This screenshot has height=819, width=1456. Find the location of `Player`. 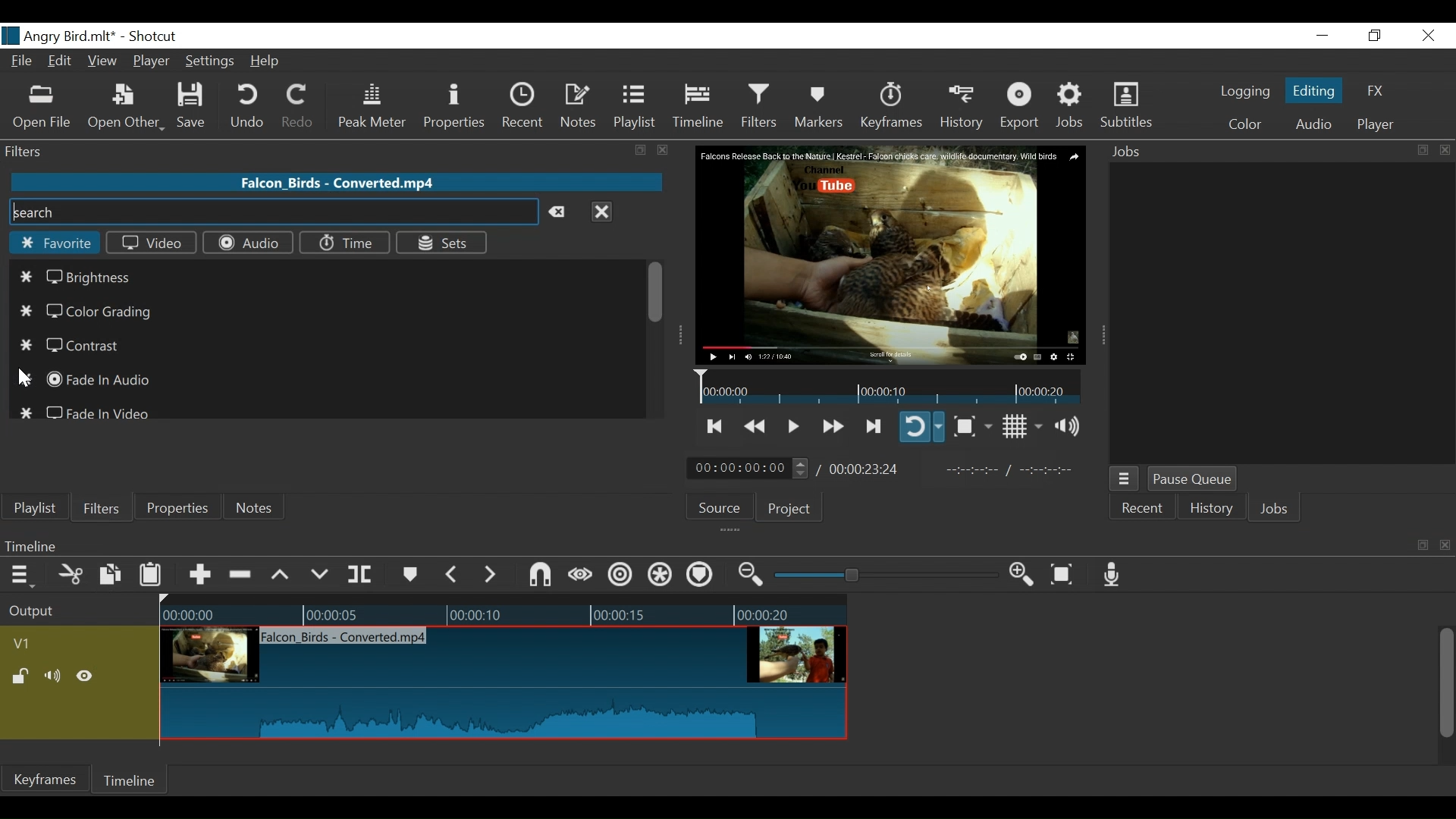

Player is located at coordinates (1376, 125).